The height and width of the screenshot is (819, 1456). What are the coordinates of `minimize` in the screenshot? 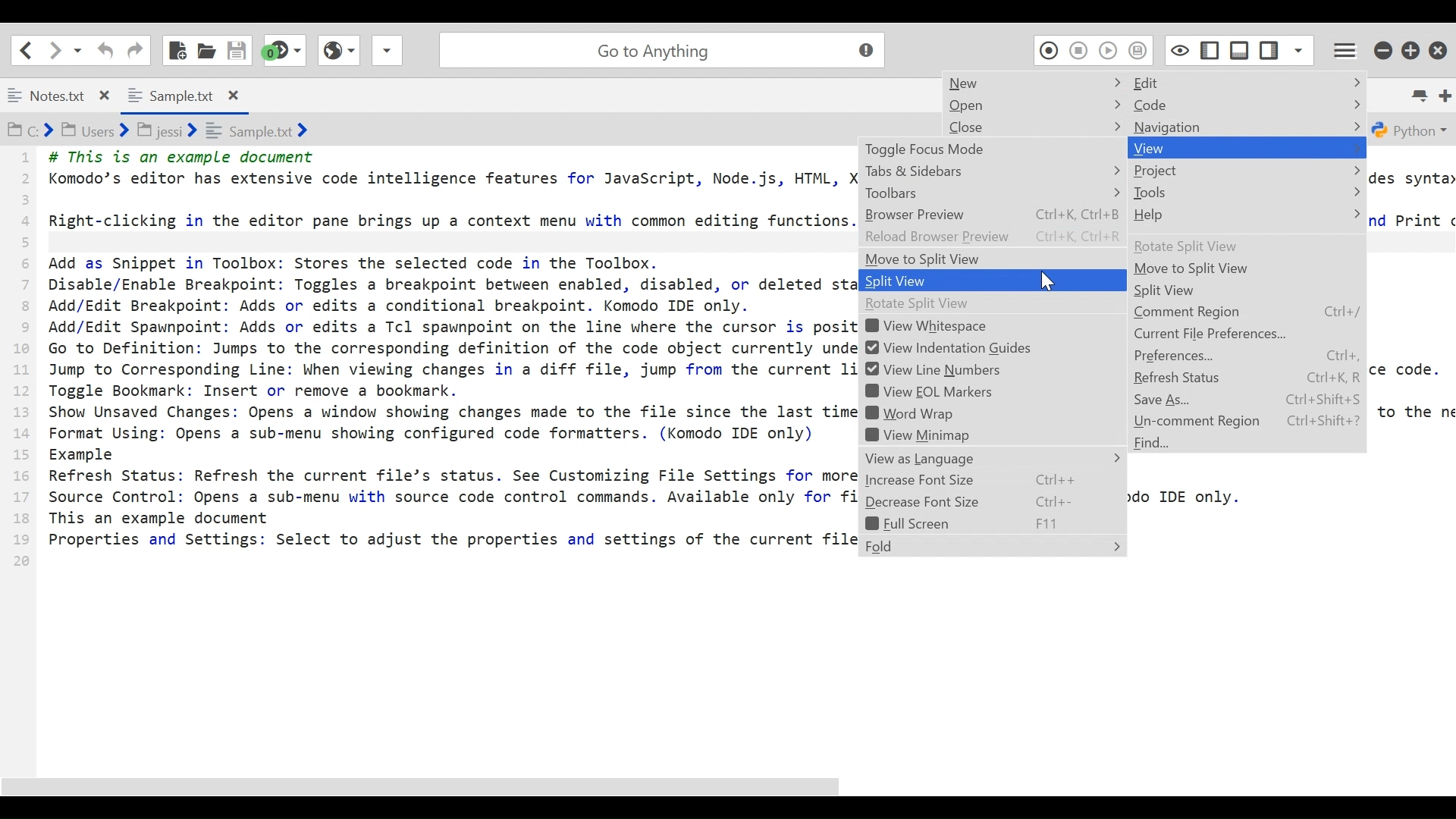 It's located at (1384, 51).